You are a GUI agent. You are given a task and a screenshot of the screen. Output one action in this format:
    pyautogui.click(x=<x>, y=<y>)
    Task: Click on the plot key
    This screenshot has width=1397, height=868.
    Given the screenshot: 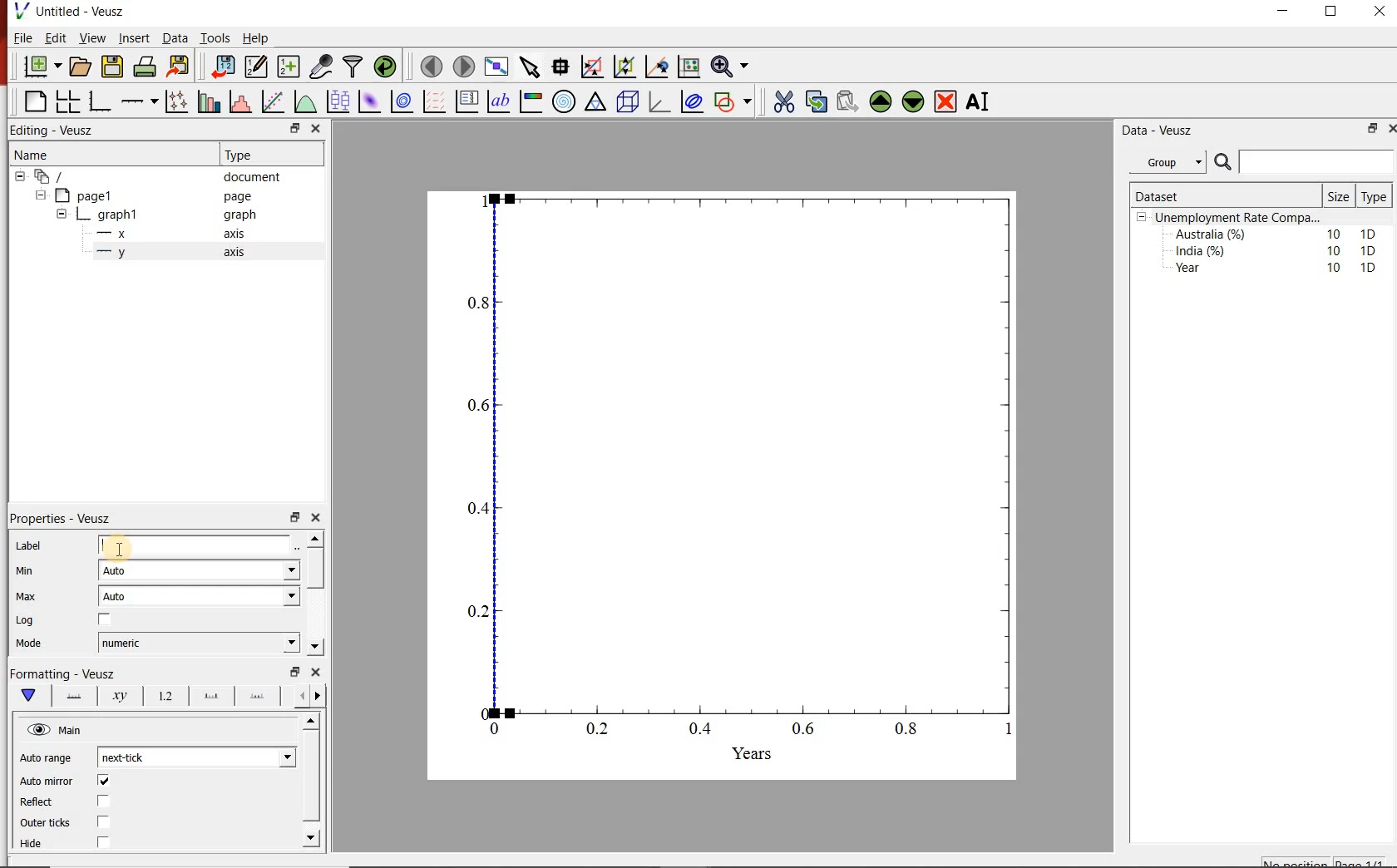 What is the action you would take?
    pyautogui.click(x=466, y=102)
    